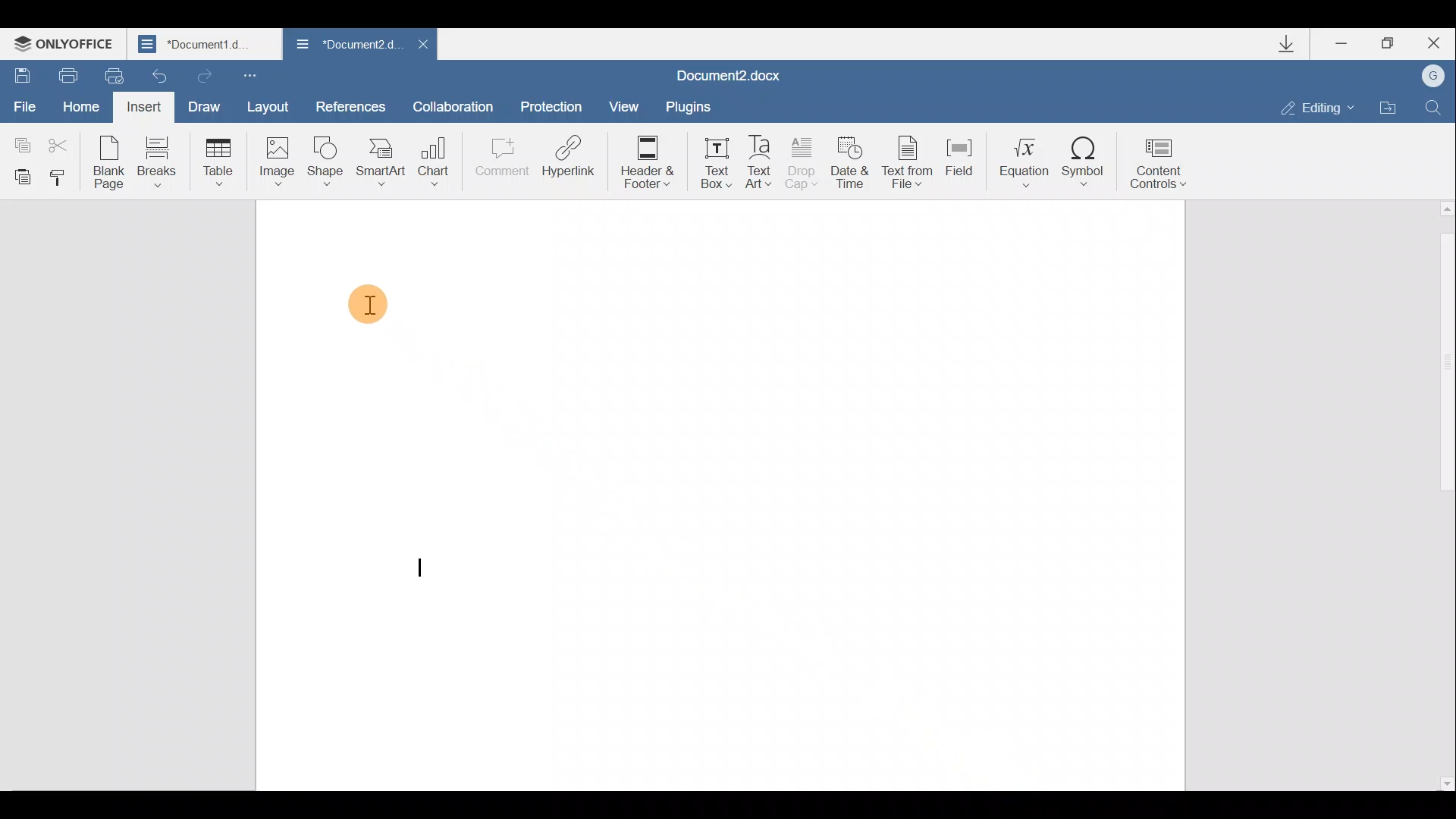  What do you see at coordinates (760, 163) in the screenshot?
I see `Text Art` at bounding box center [760, 163].